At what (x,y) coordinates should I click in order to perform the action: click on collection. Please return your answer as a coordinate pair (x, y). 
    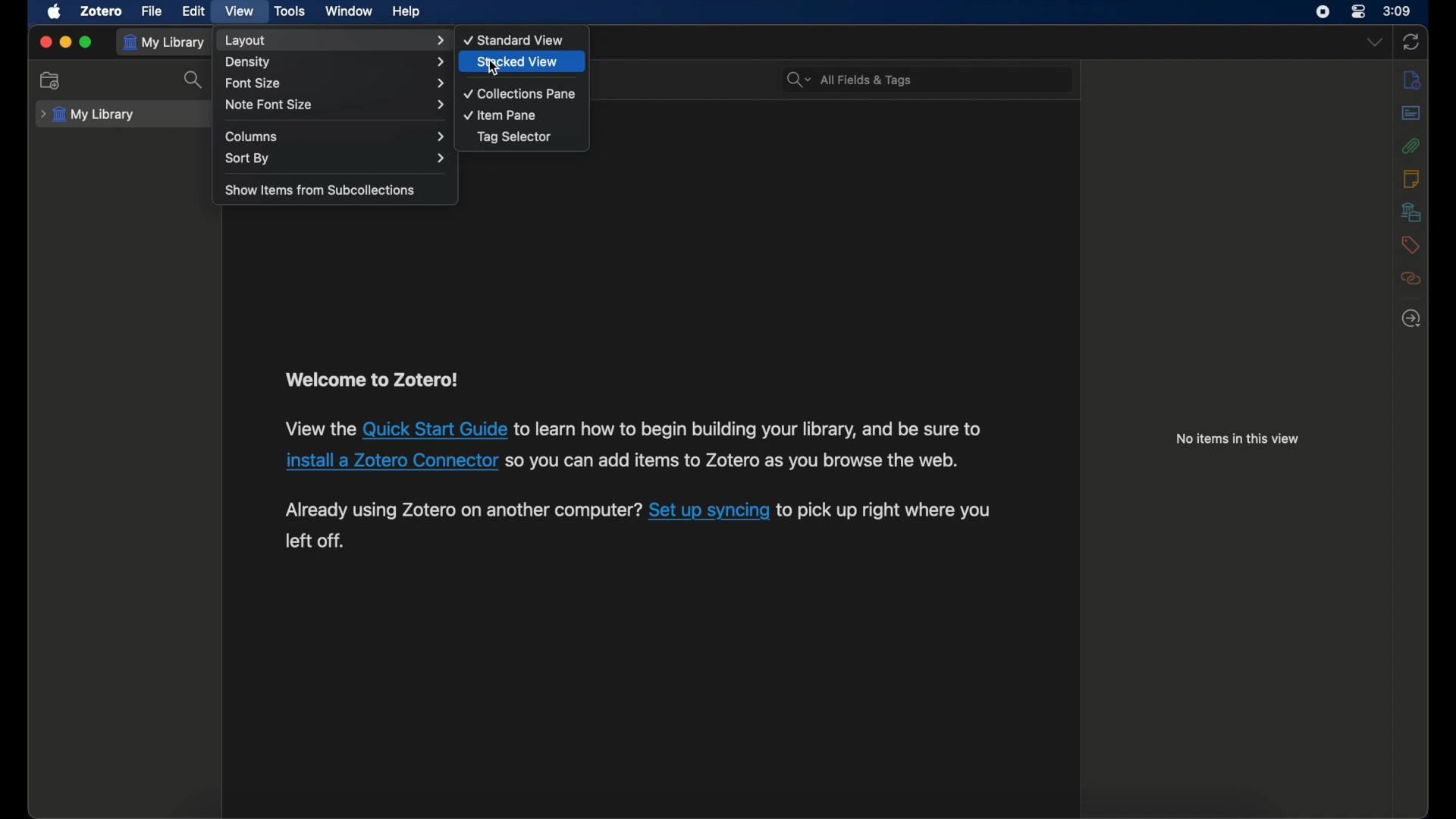
    Looking at the image, I should click on (51, 80).